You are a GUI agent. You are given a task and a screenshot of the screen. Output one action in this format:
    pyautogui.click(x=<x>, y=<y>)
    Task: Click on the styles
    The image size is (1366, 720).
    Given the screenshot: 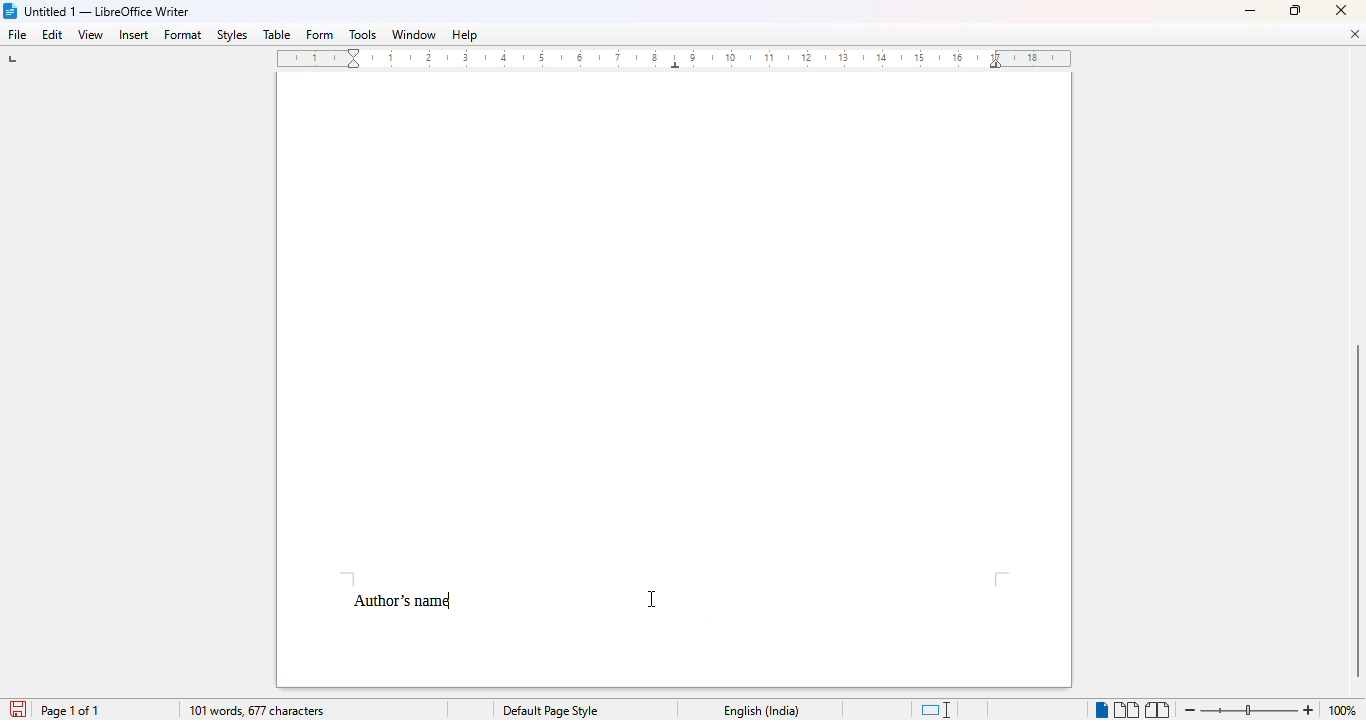 What is the action you would take?
    pyautogui.click(x=231, y=35)
    